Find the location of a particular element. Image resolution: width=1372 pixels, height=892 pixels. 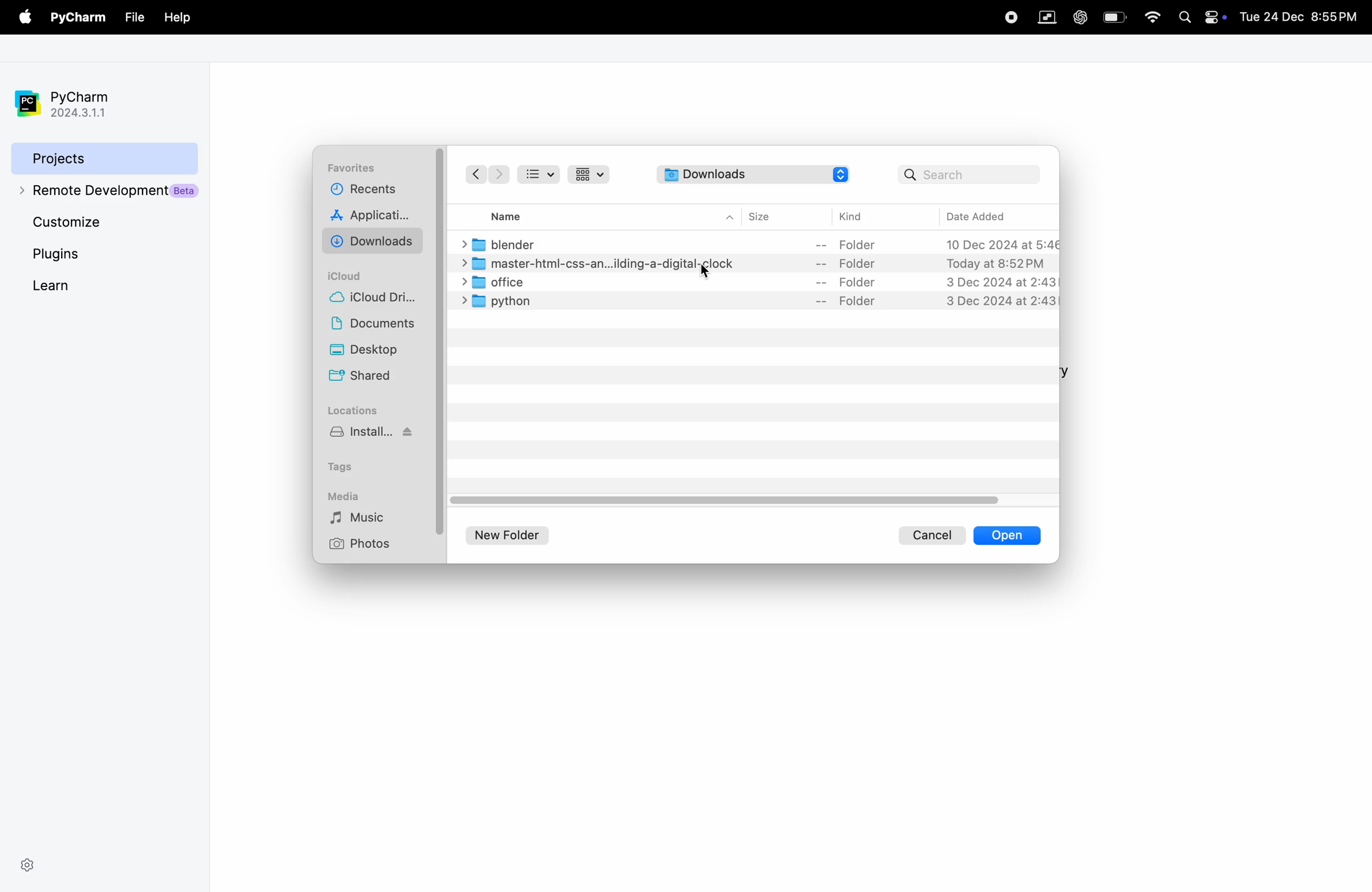

tags is located at coordinates (350, 464).